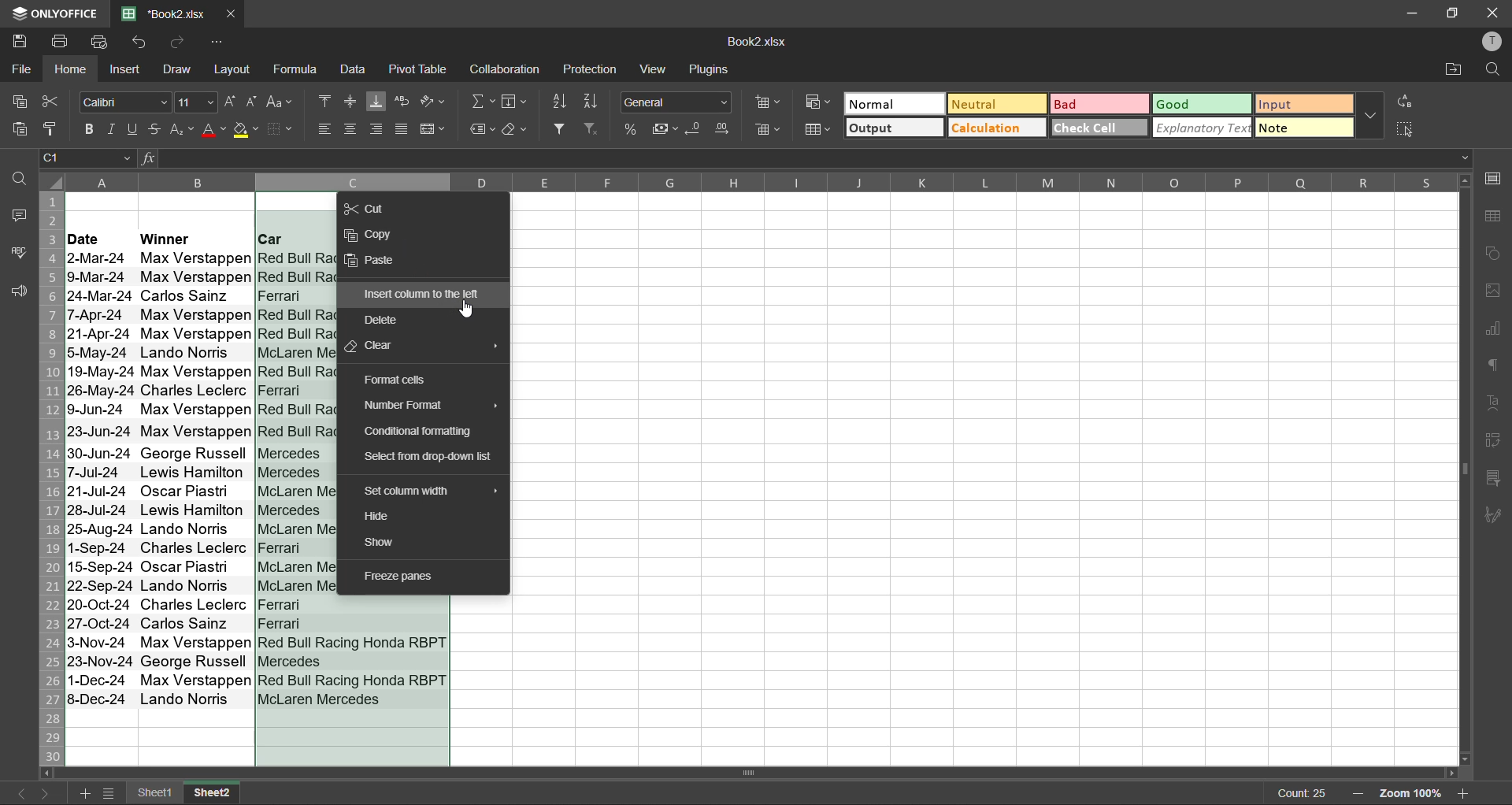 The image size is (1512, 805). I want to click on protection, so click(595, 69).